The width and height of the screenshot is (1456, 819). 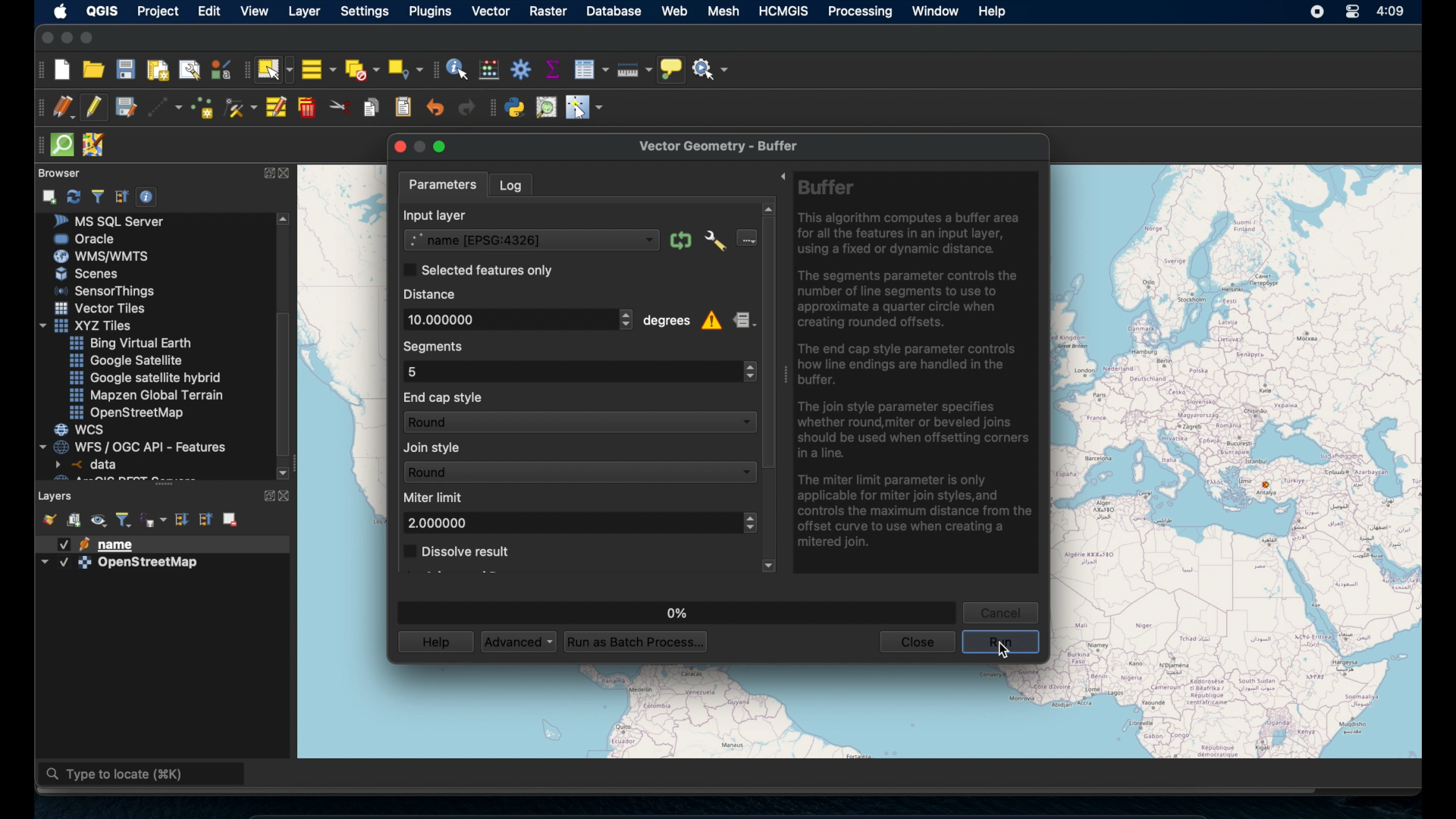 I want to click on HCMGIS, so click(x=786, y=11).